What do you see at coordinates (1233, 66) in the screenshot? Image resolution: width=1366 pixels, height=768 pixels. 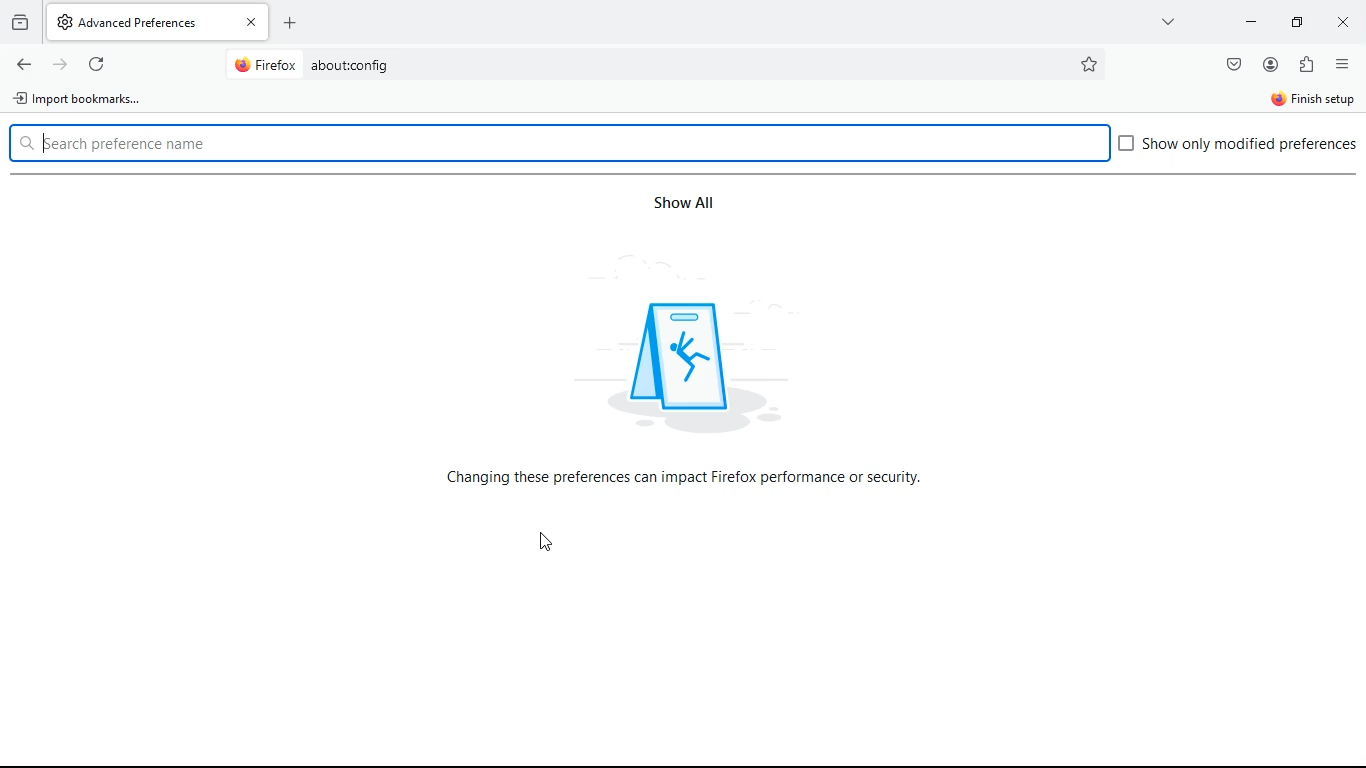 I see `save pocket` at bounding box center [1233, 66].